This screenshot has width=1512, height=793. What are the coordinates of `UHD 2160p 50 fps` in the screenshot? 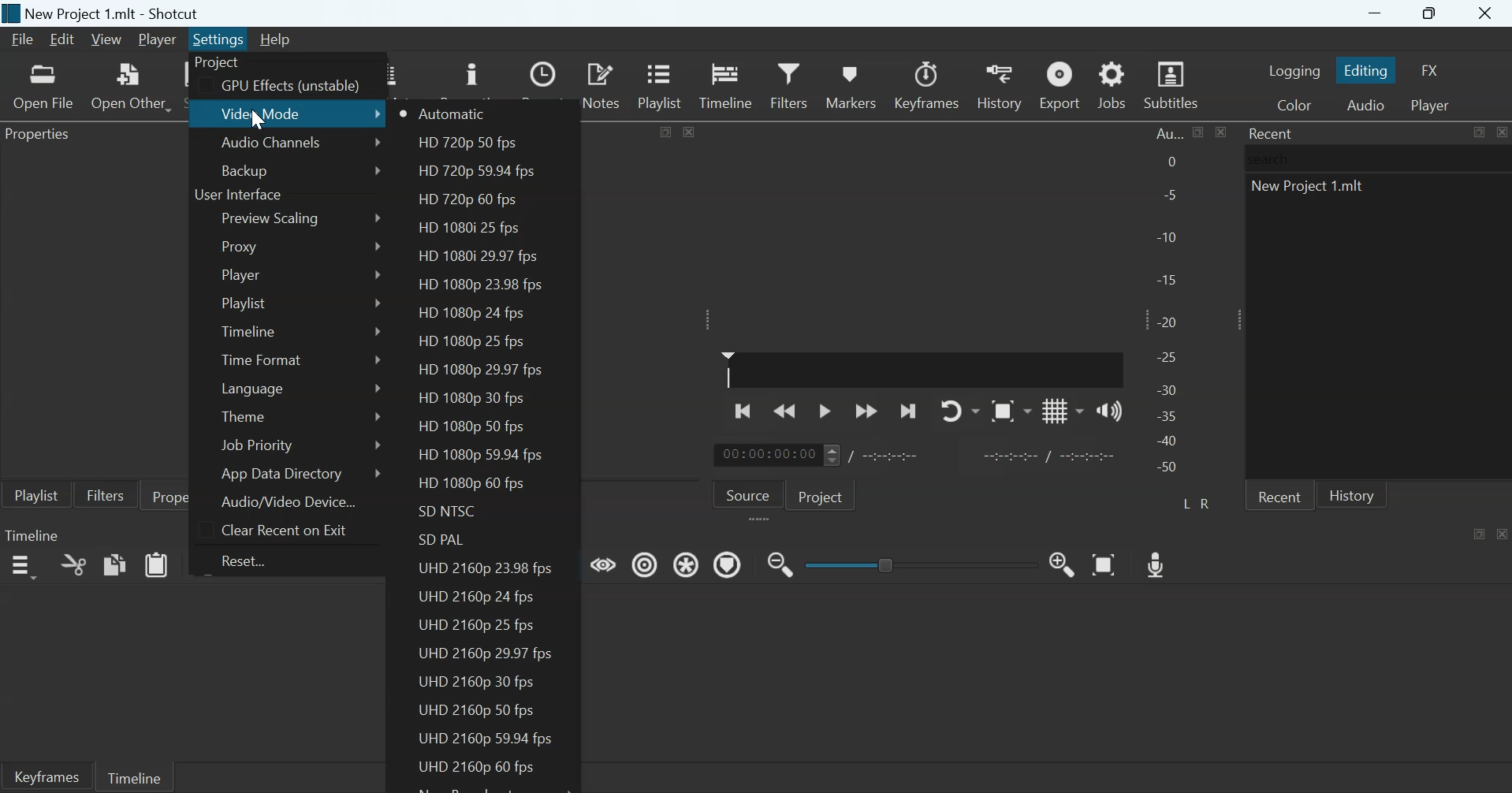 It's located at (476, 709).